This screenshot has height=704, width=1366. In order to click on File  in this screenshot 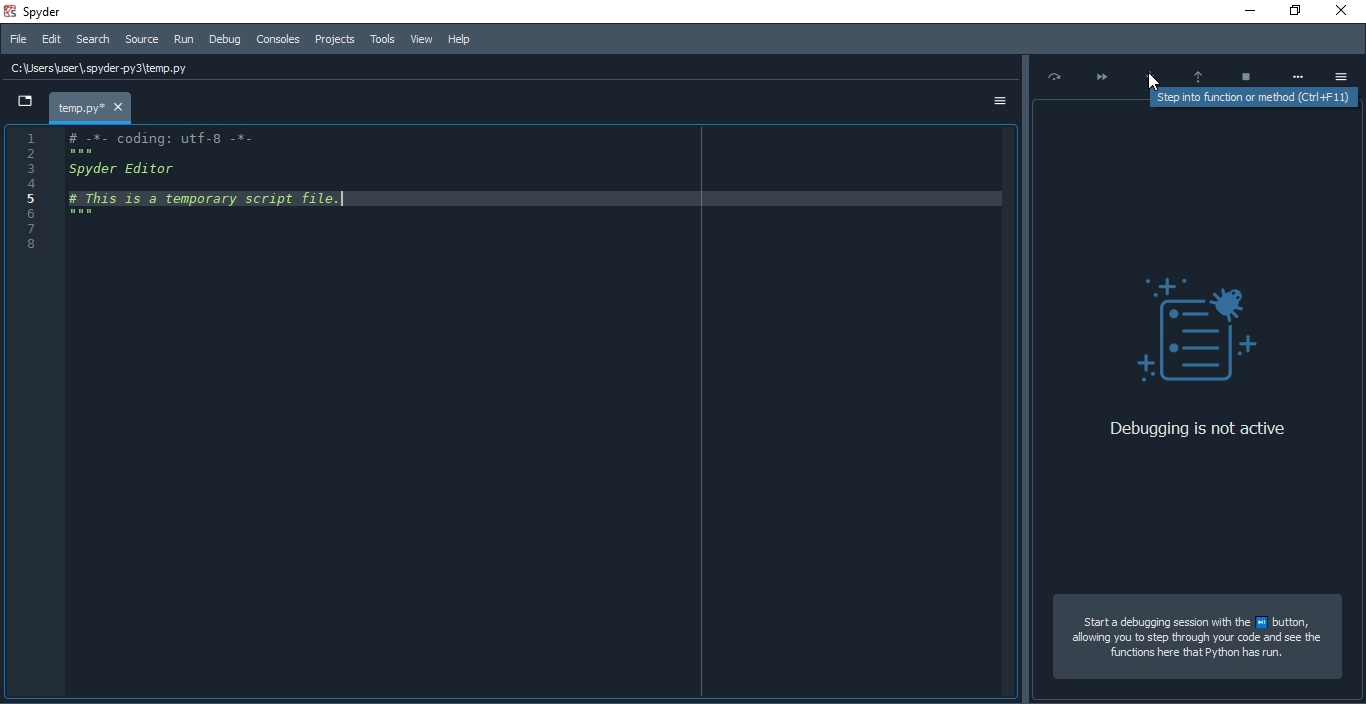, I will do `click(19, 38)`.